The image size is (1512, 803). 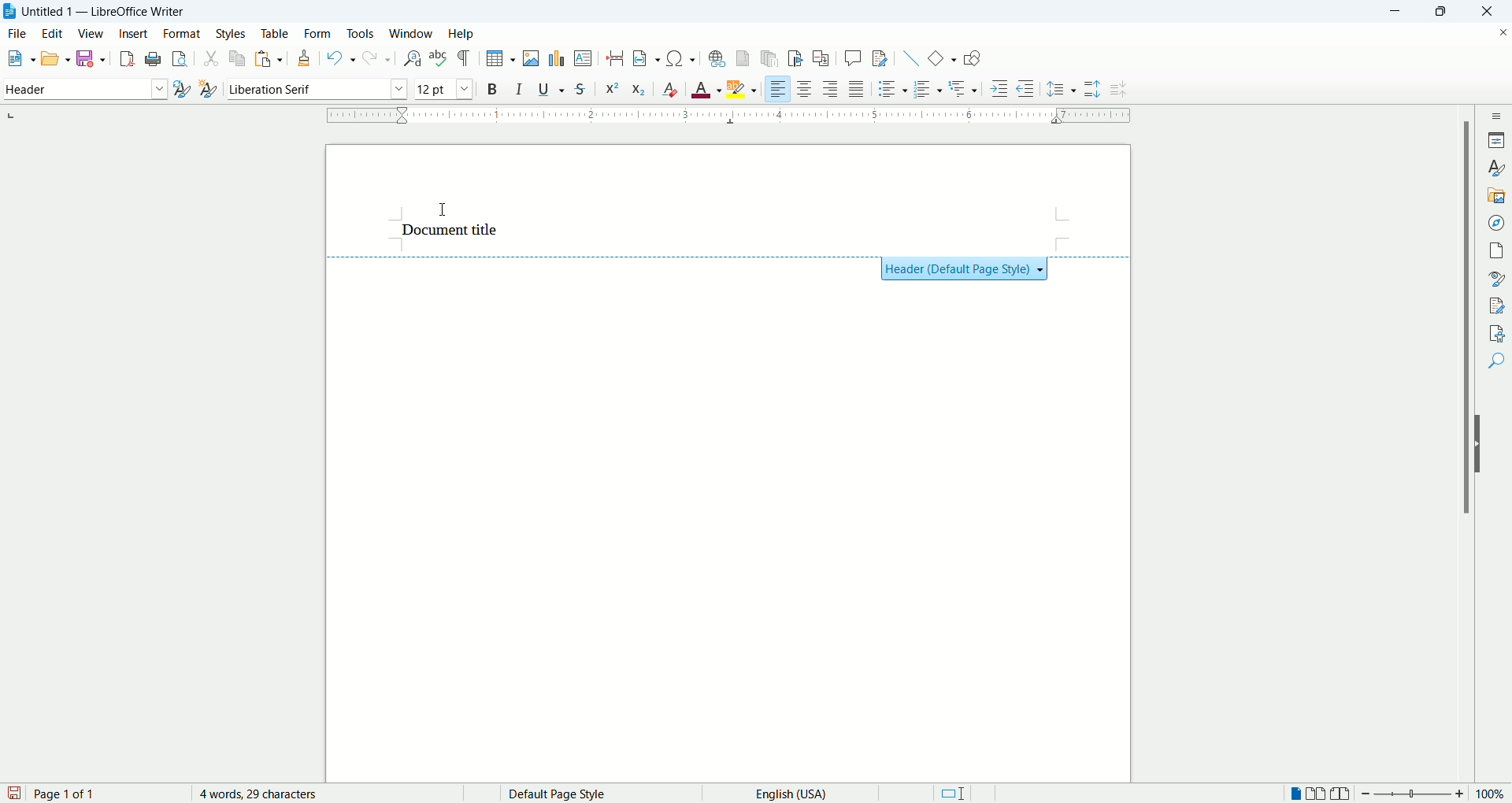 I want to click on new, so click(x=14, y=56).